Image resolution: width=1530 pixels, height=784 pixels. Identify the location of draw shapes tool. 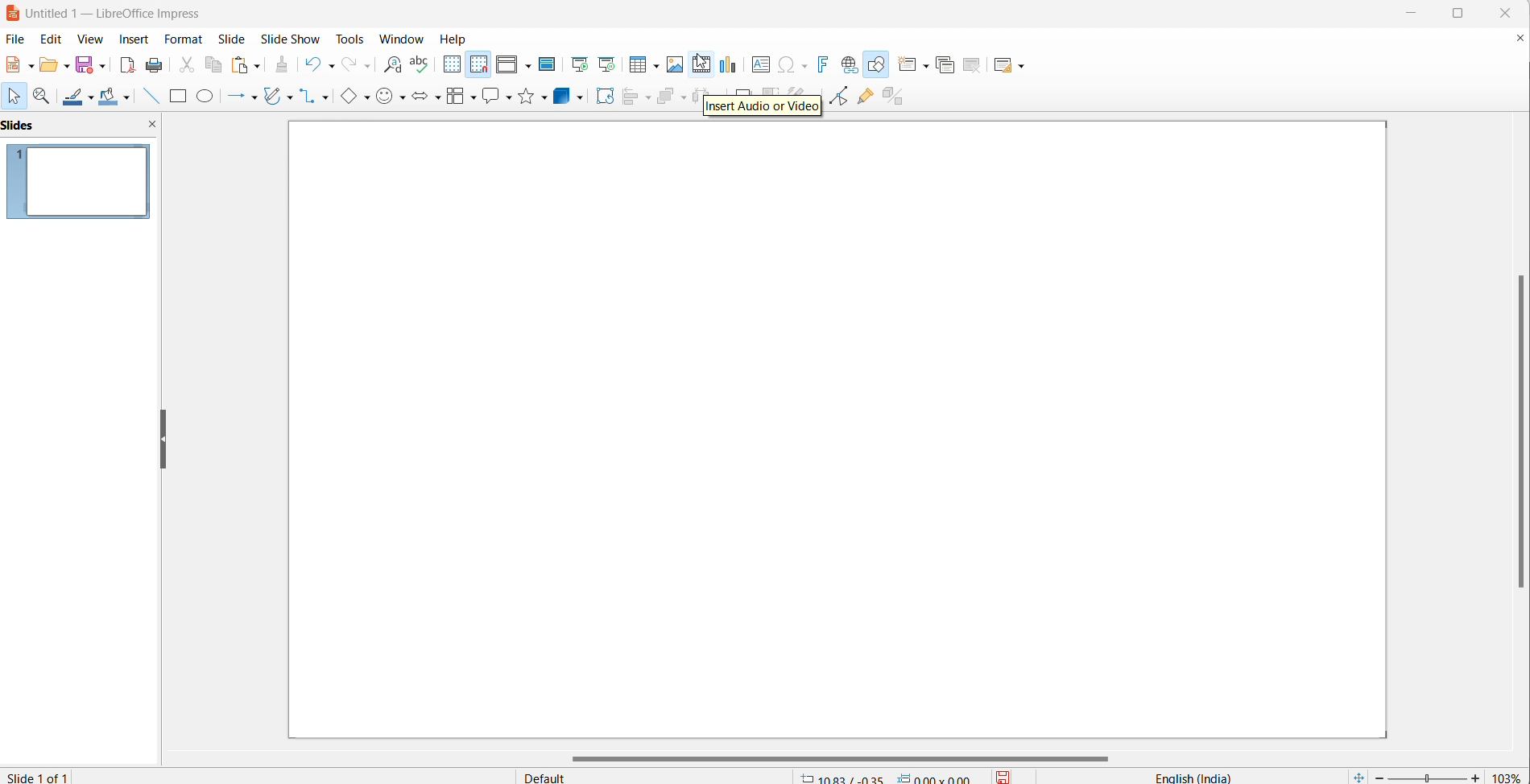
(879, 65).